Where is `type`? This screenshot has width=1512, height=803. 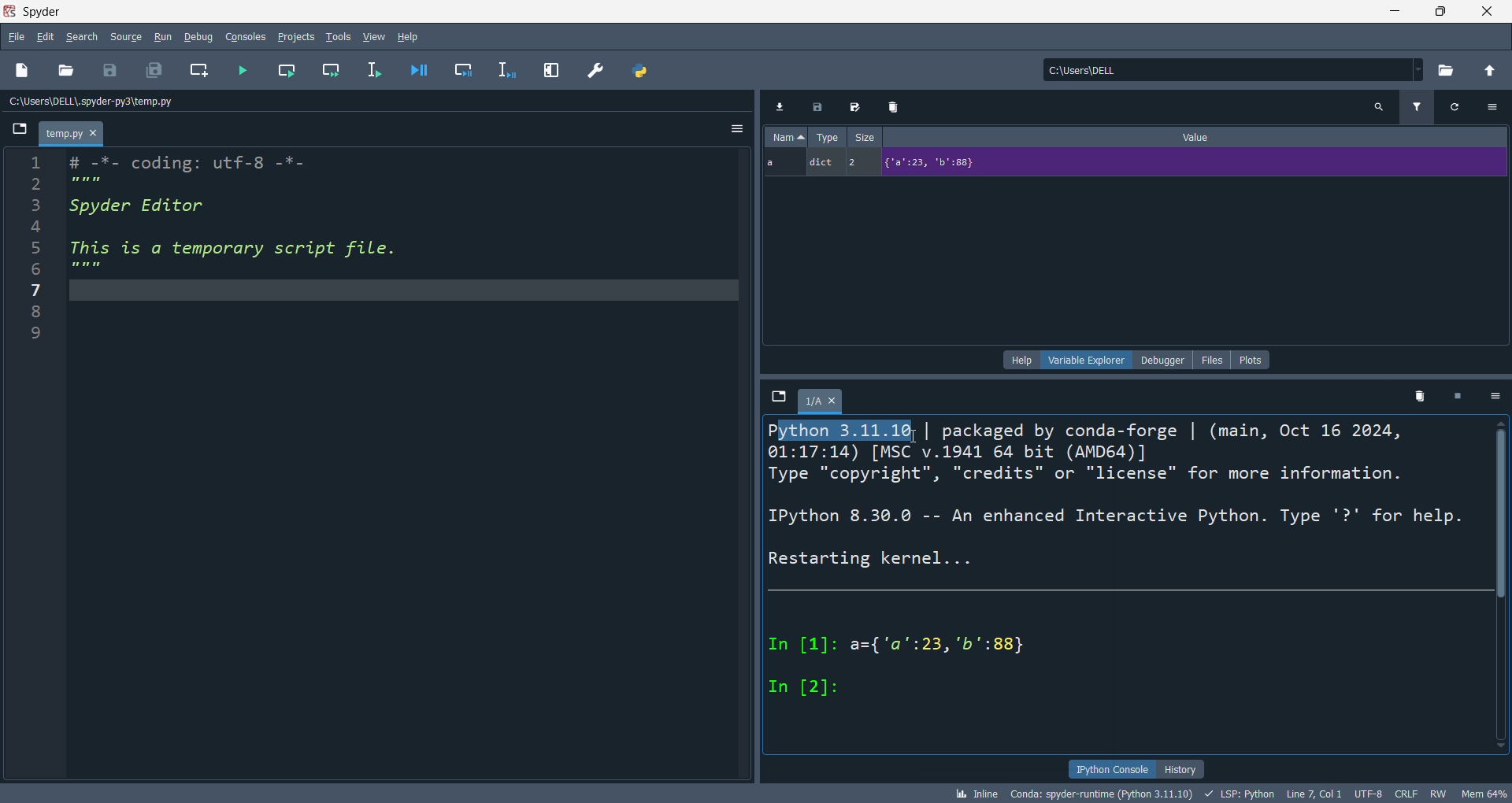
type is located at coordinates (826, 136).